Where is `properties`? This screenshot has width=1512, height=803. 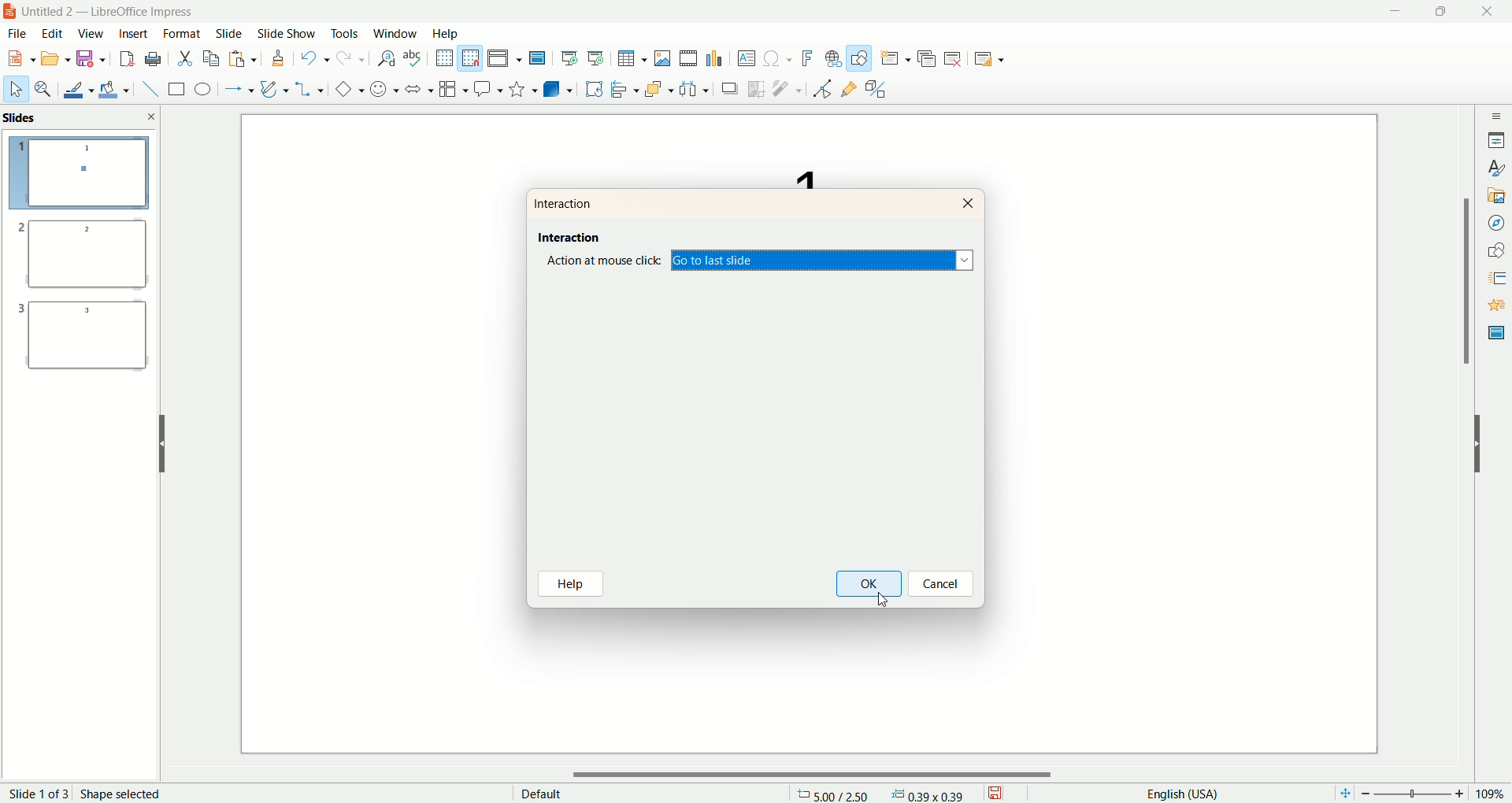
properties is located at coordinates (1496, 139).